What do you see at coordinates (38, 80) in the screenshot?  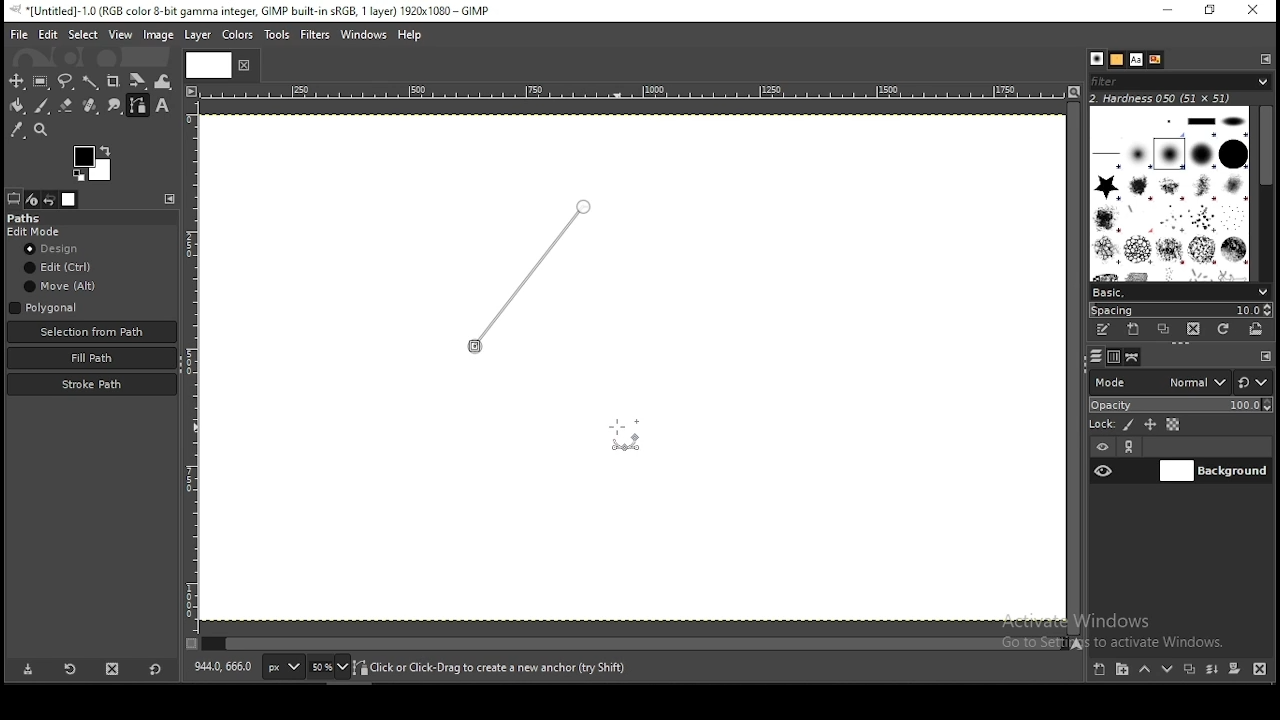 I see `rectangle selection tool` at bounding box center [38, 80].